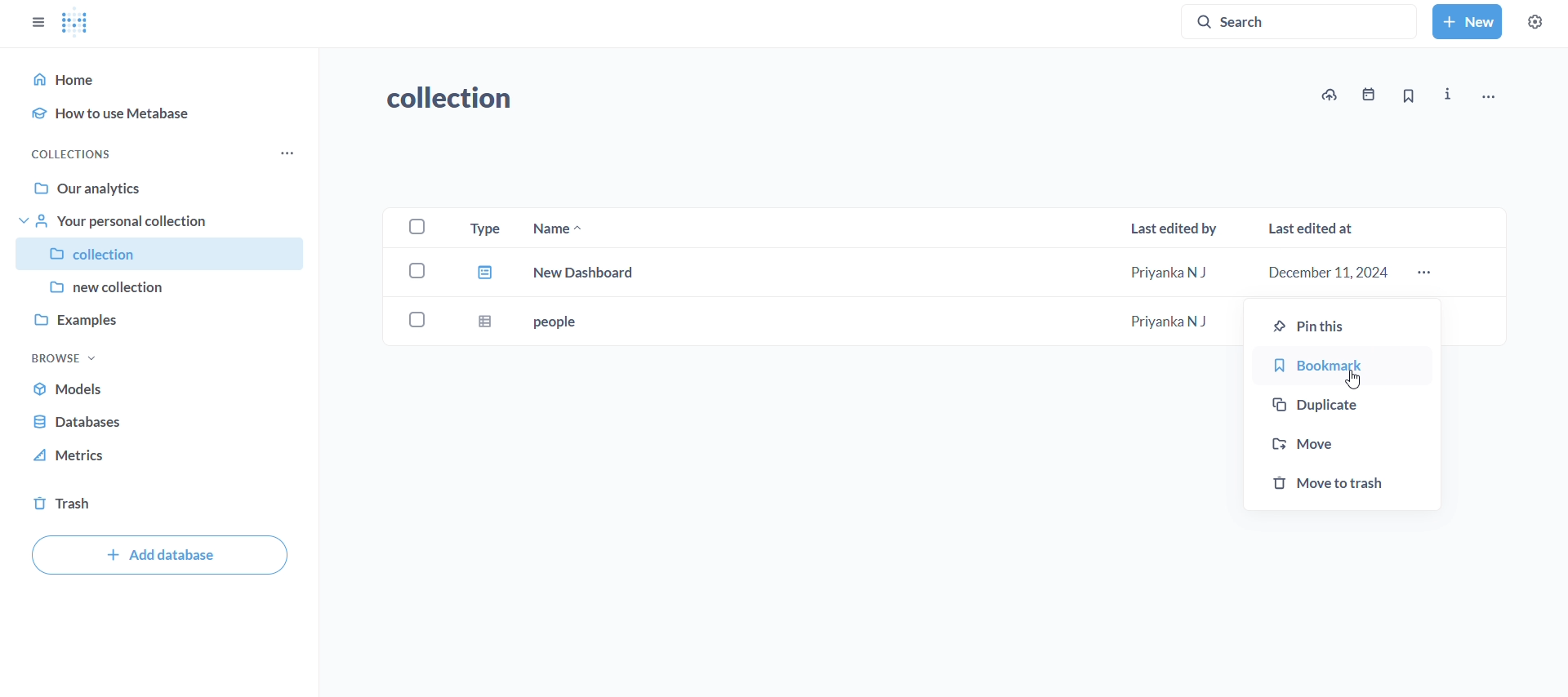 This screenshot has height=697, width=1568. I want to click on home , so click(163, 77).